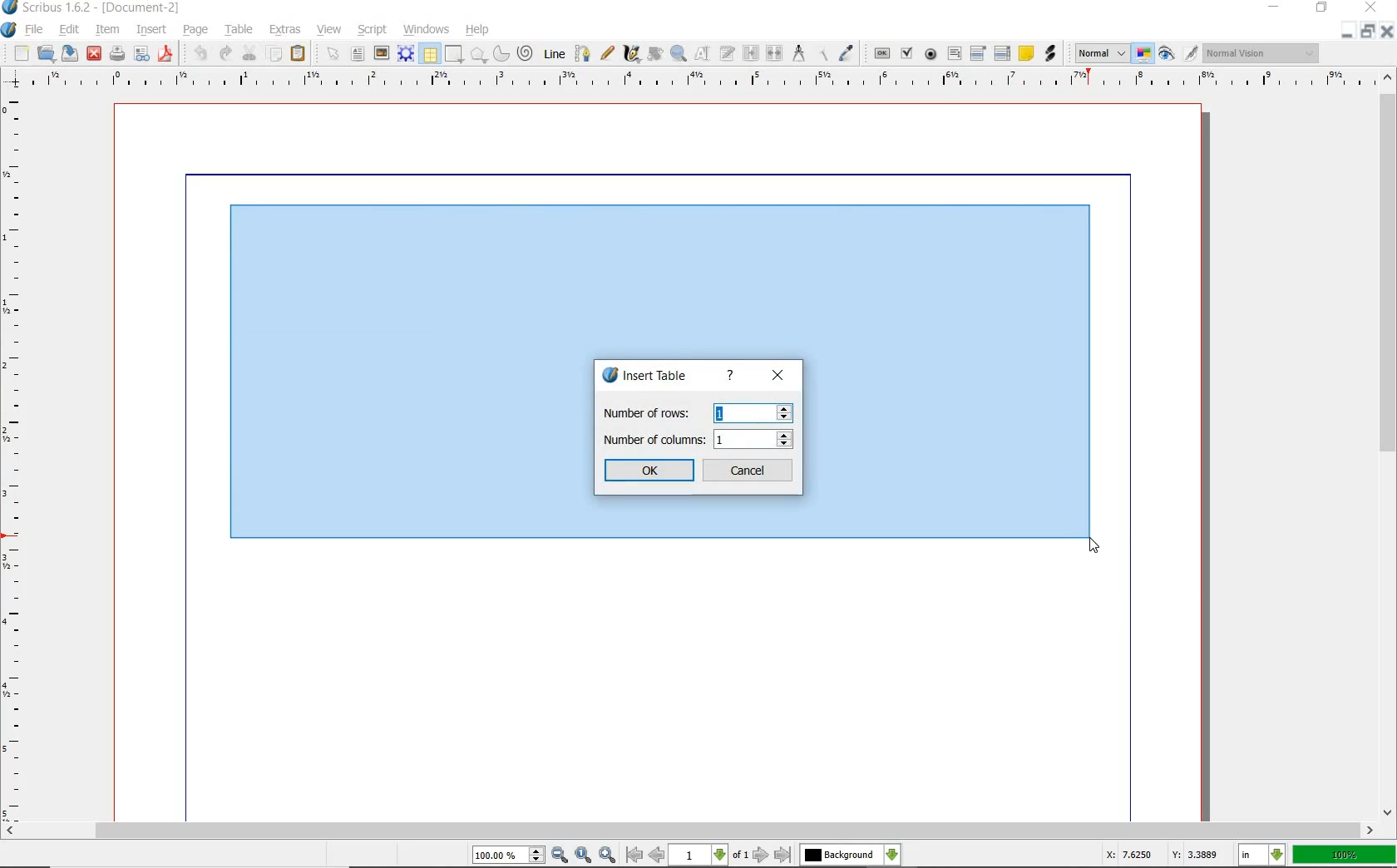 The image size is (1397, 868). Describe the element at coordinates (649, 471) in the screenshot. I see `ok` at that location.